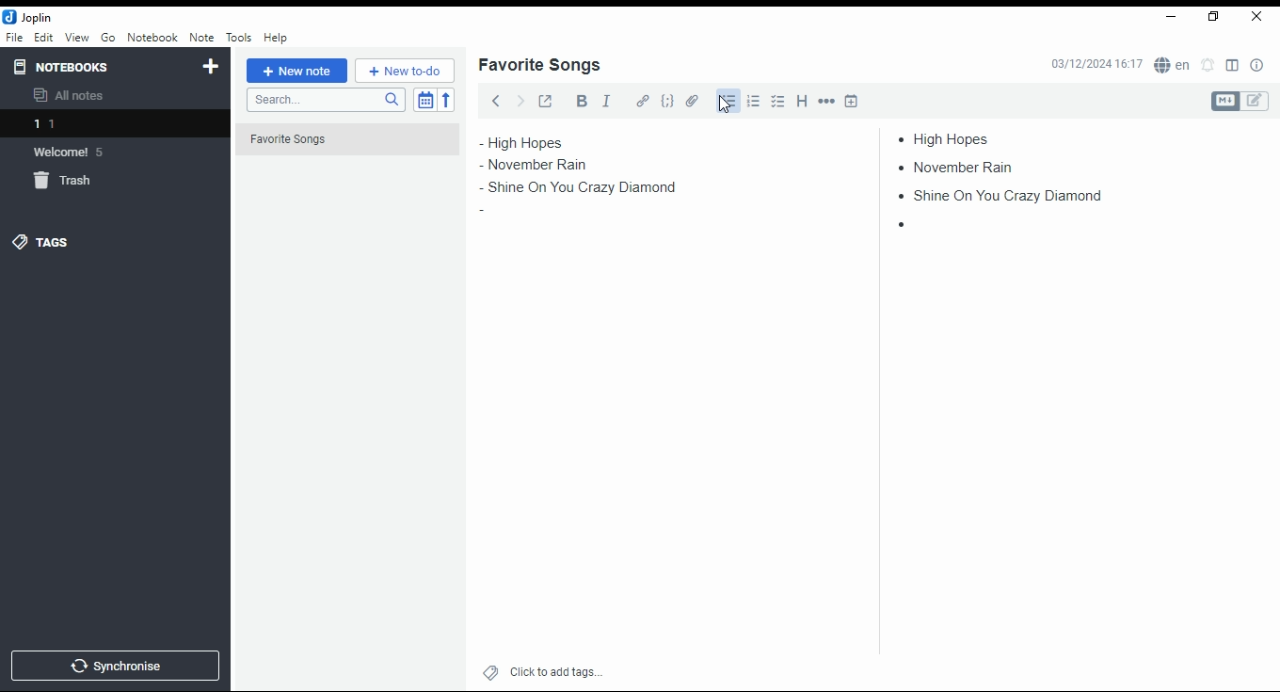 The image size is (1280, 692). I want to click on click to add tags, so click(556, 669).